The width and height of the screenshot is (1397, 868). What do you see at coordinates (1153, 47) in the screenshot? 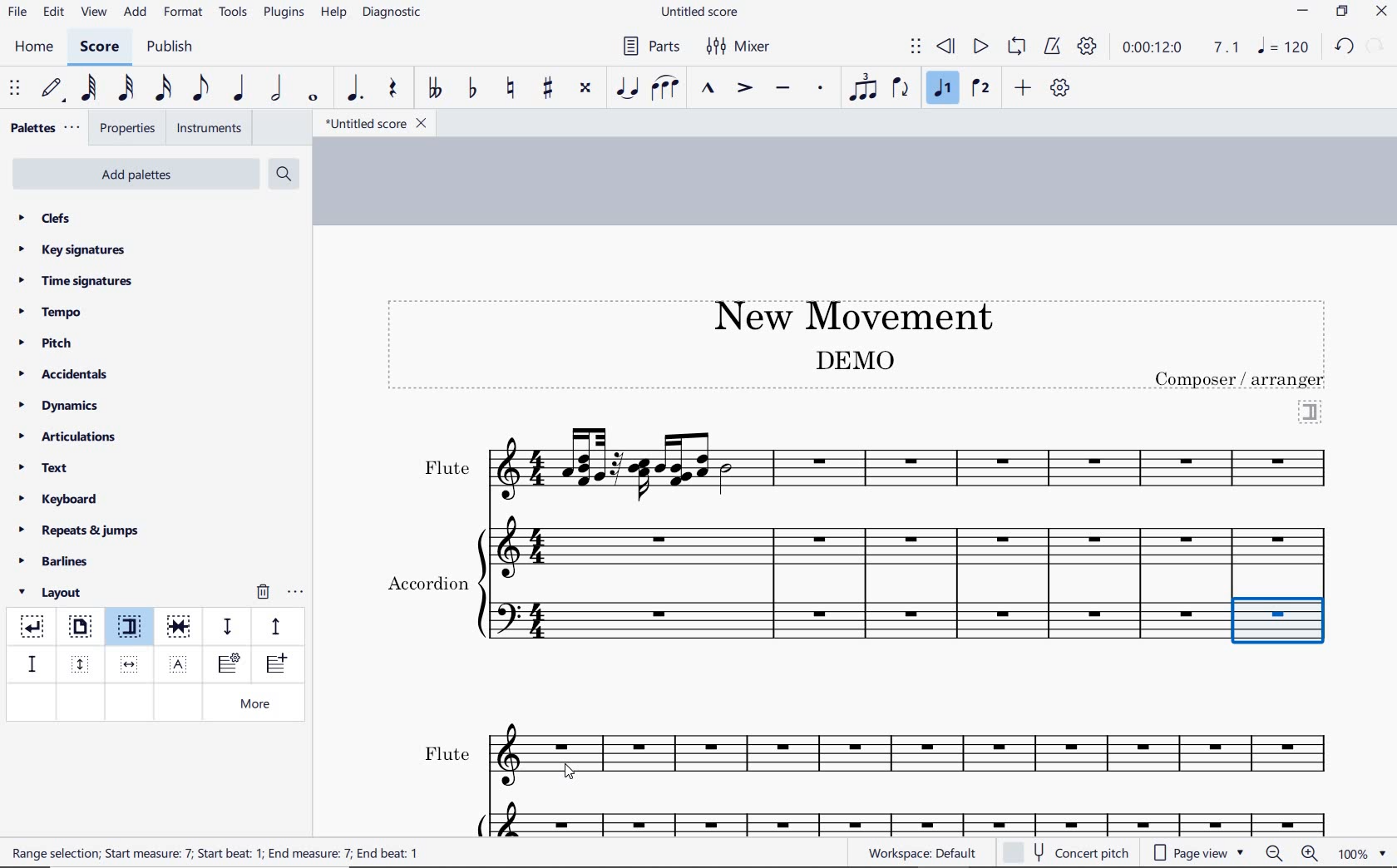
I see `playback time` at bounding box center [1153, 47].